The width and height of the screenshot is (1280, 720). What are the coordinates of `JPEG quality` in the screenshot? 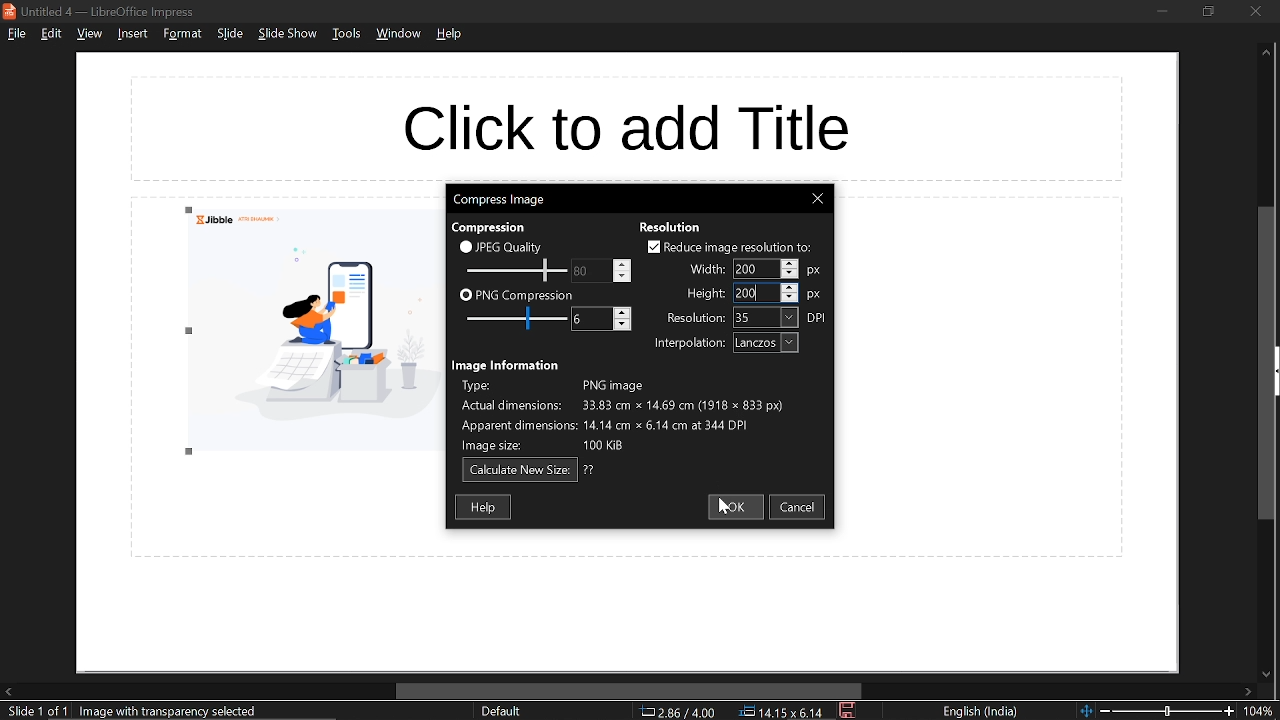 It's located at (506, 246).